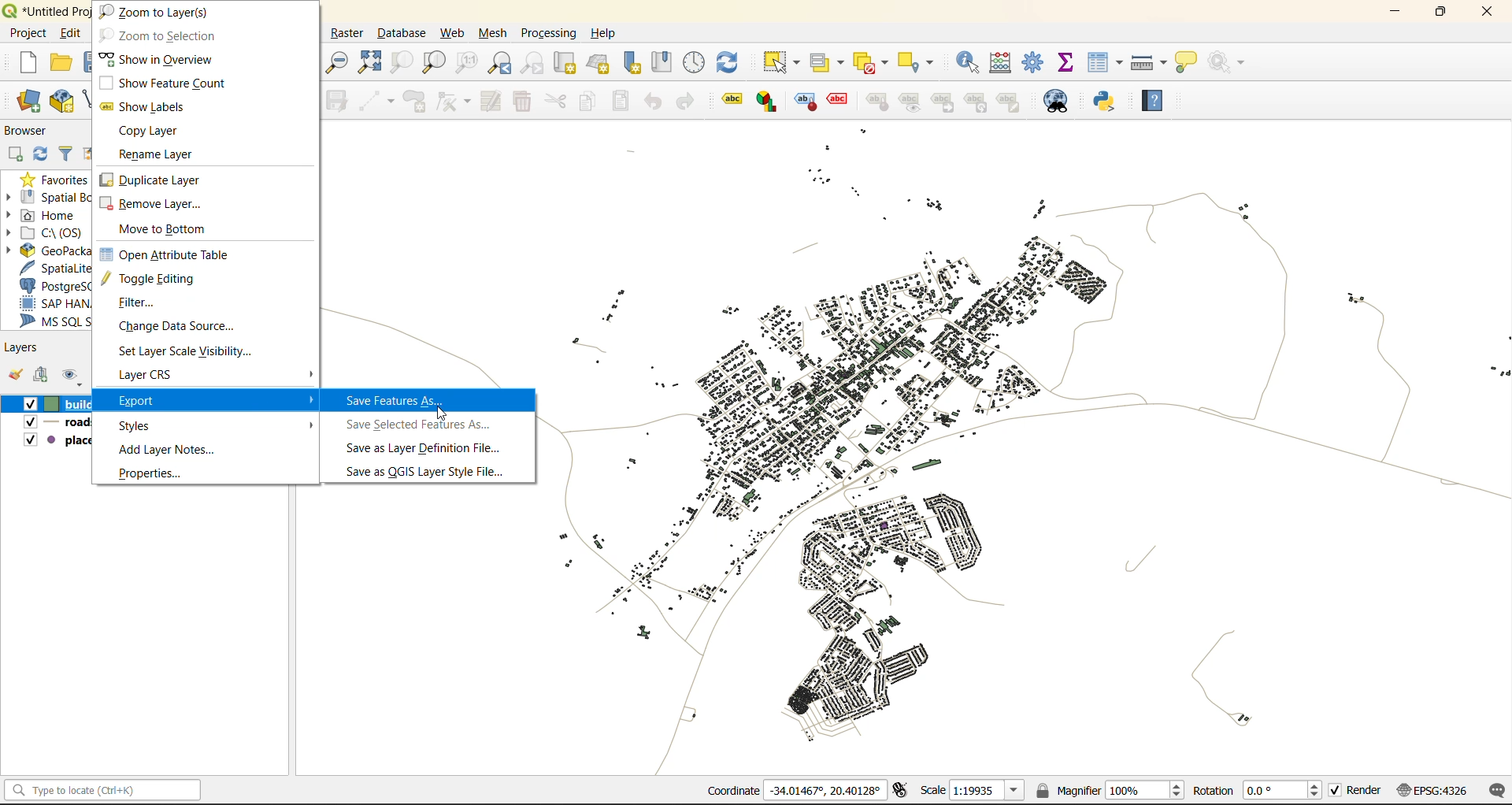  Describe the element at coordinates (1185, 64) in the screenshot. I see `show tips` at that location.